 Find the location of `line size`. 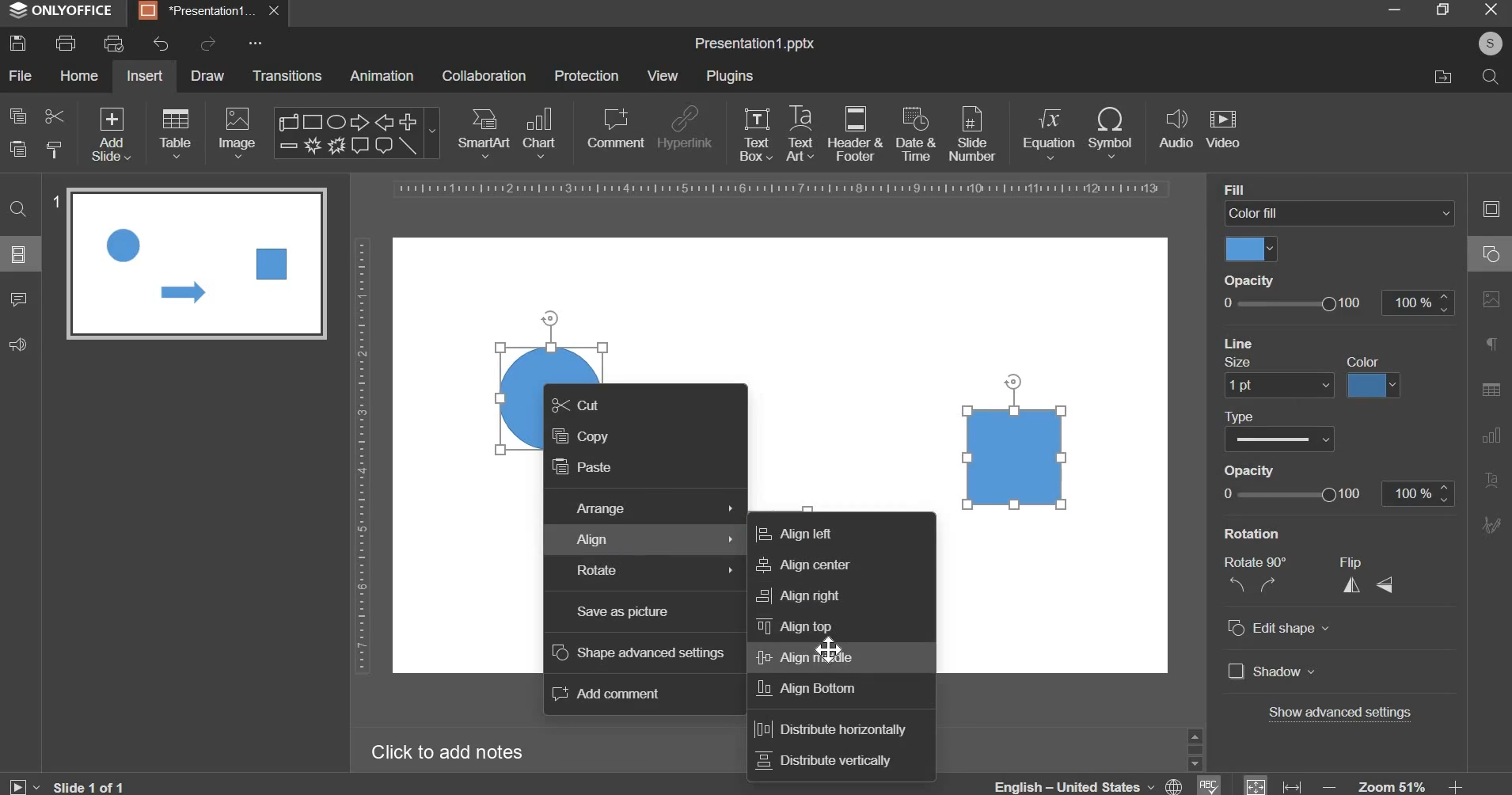

line size is located at coordinates (1278, 385).